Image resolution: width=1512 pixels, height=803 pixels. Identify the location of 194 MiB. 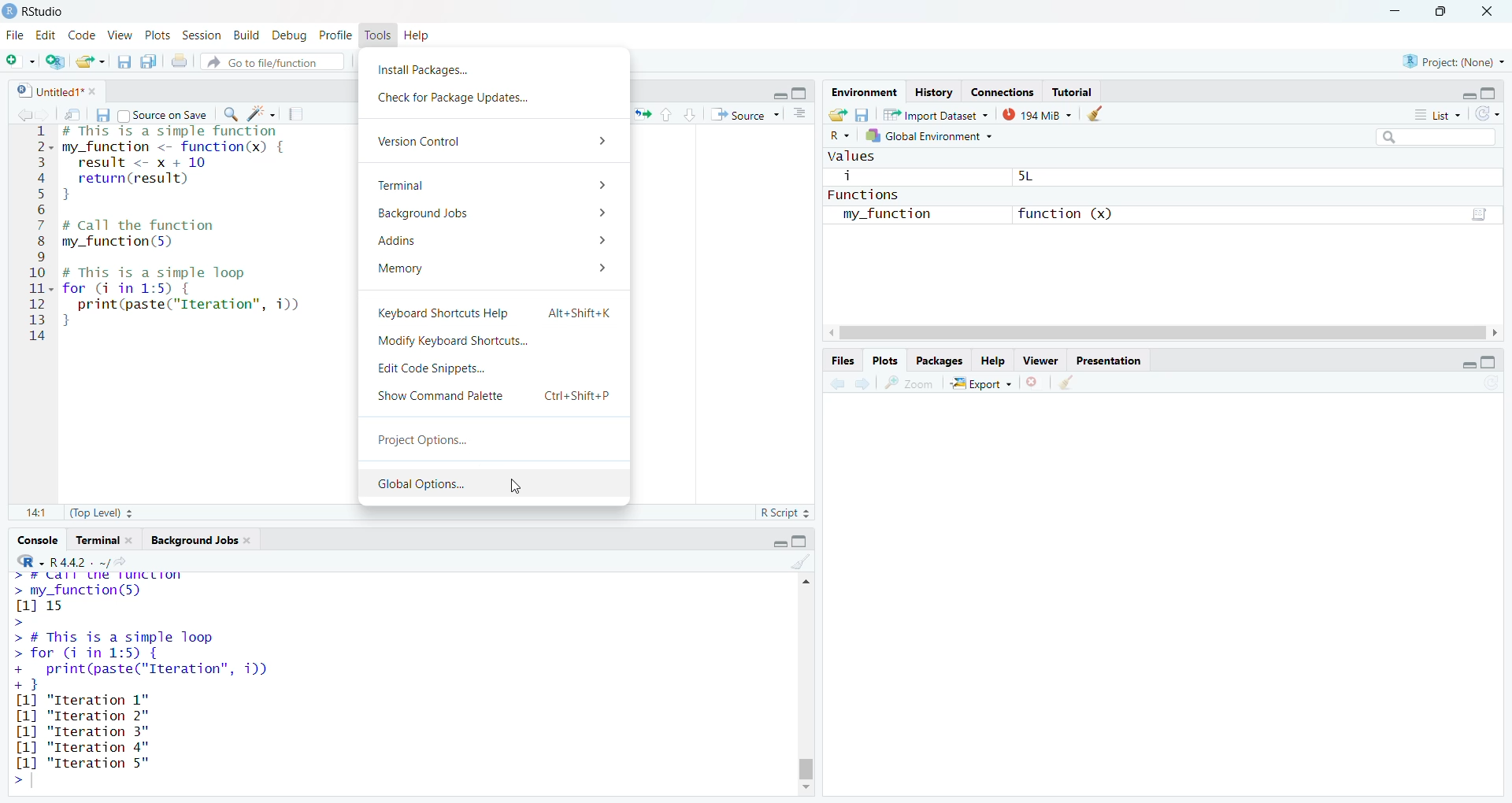
(1036, 117).